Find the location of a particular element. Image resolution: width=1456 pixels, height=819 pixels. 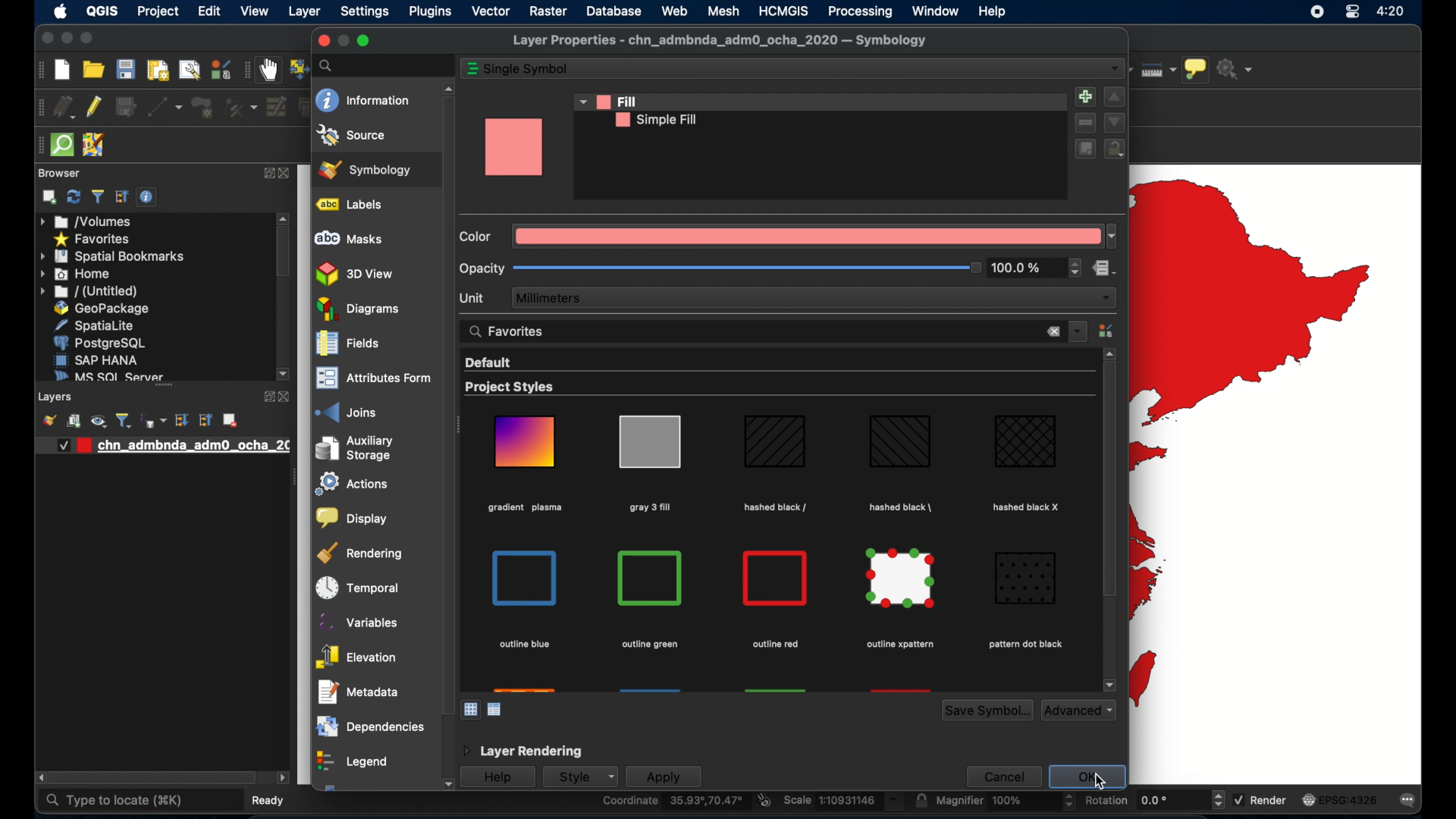

vector is located at coordinates (491, 11).